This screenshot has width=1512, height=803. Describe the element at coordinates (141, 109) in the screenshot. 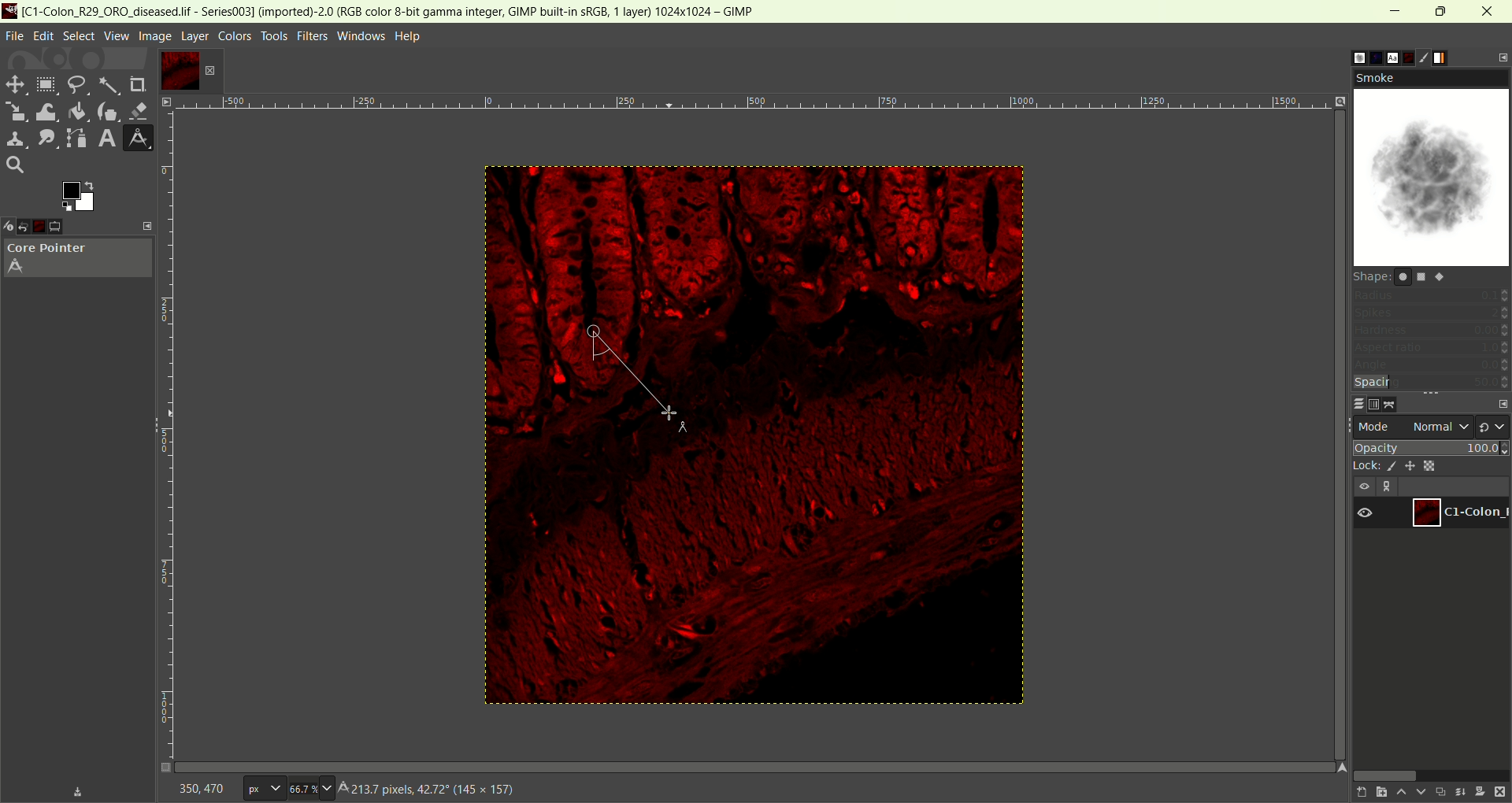

I see `eraser tool` at that location.